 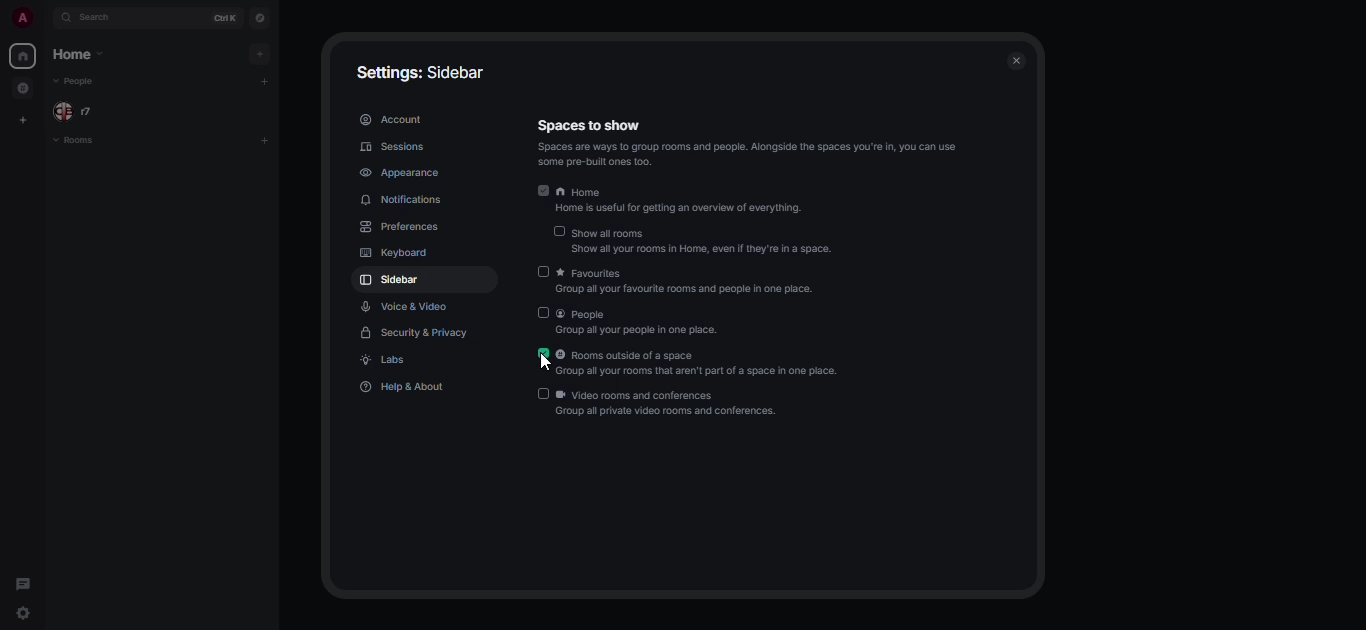 What do you see at coordinates (20, 18) in the screenshot?
I see `profile` at bounding box center [20, 18].